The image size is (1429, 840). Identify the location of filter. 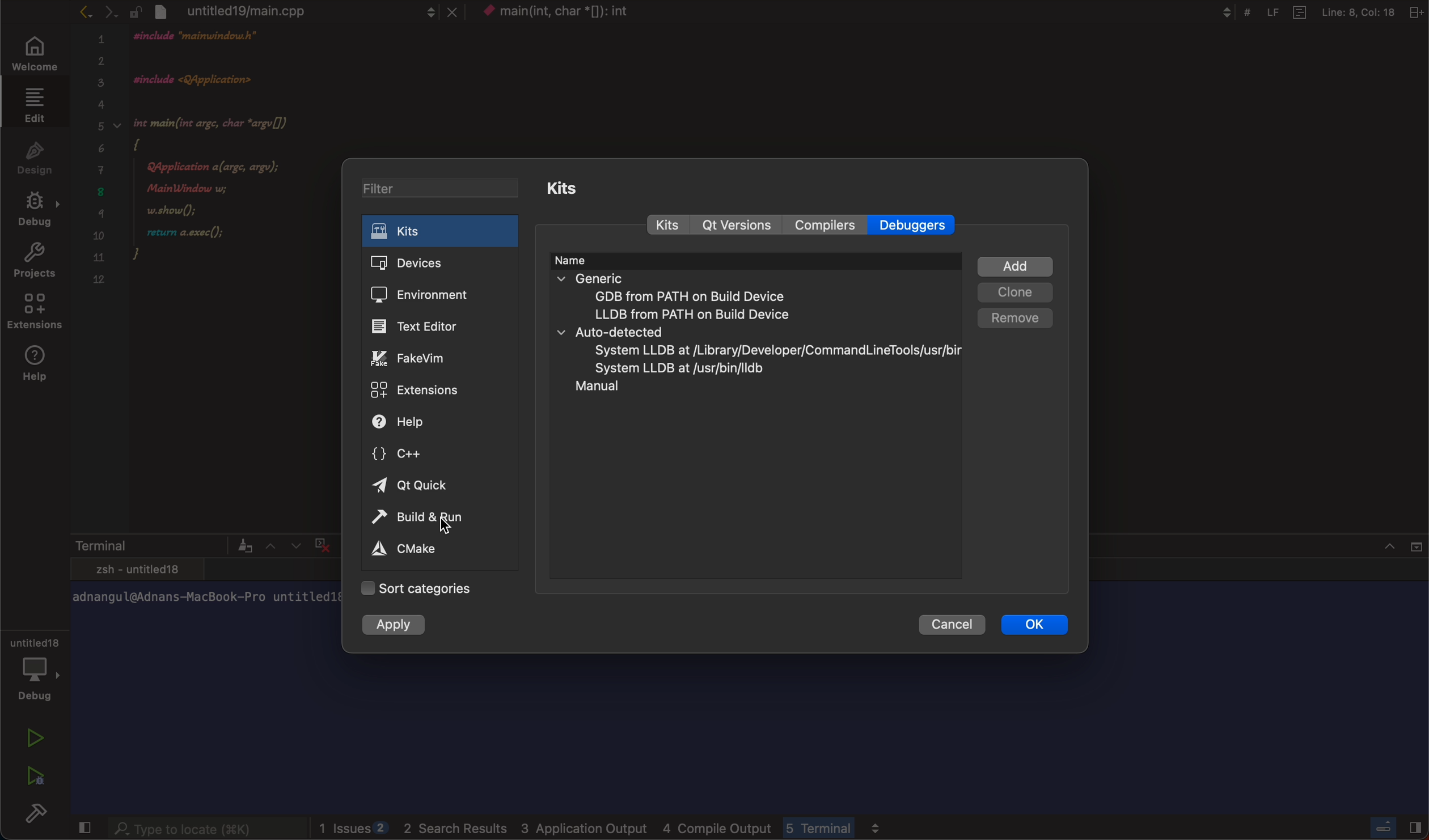
(442, 190).